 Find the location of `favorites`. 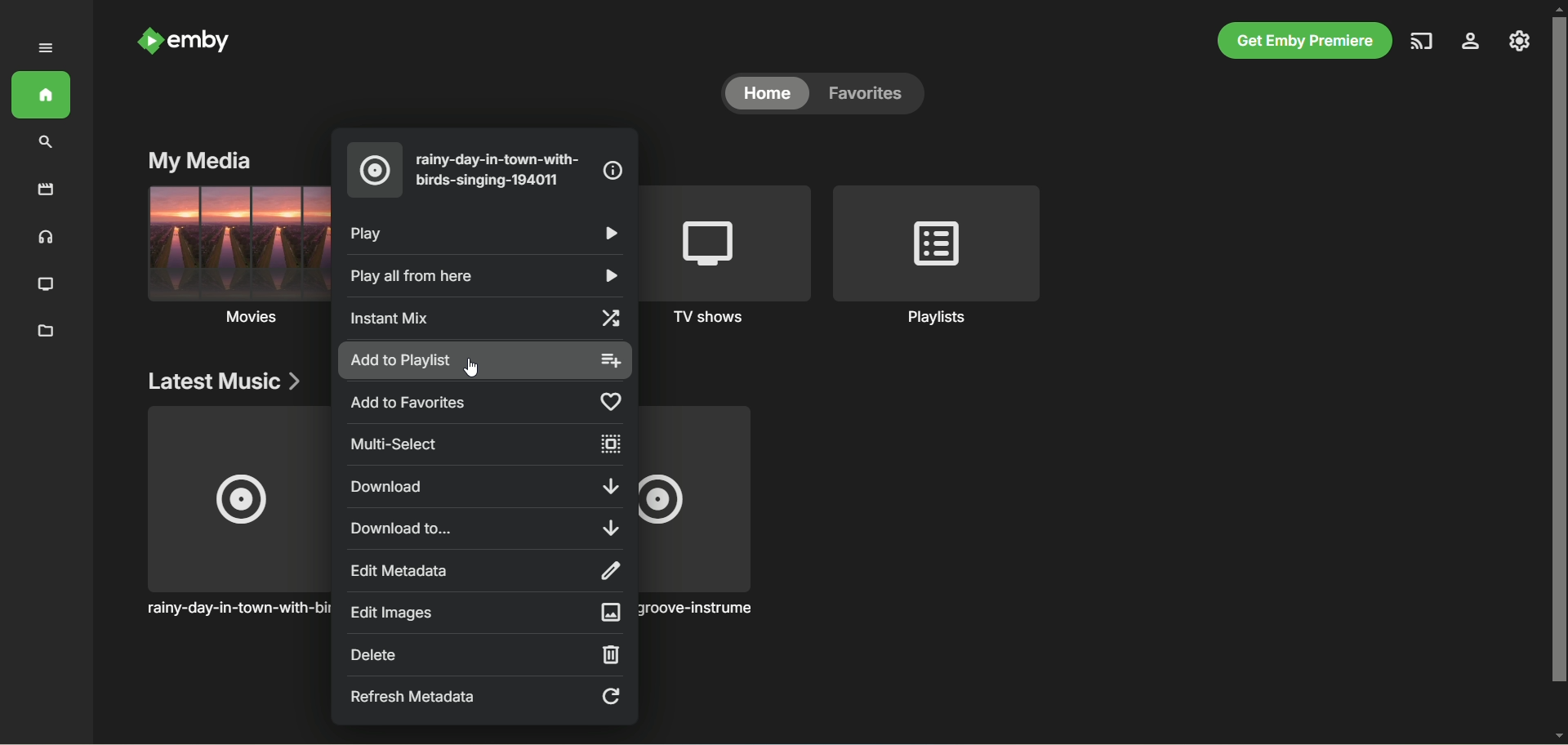

favorites is located at coordinates (873, 93).